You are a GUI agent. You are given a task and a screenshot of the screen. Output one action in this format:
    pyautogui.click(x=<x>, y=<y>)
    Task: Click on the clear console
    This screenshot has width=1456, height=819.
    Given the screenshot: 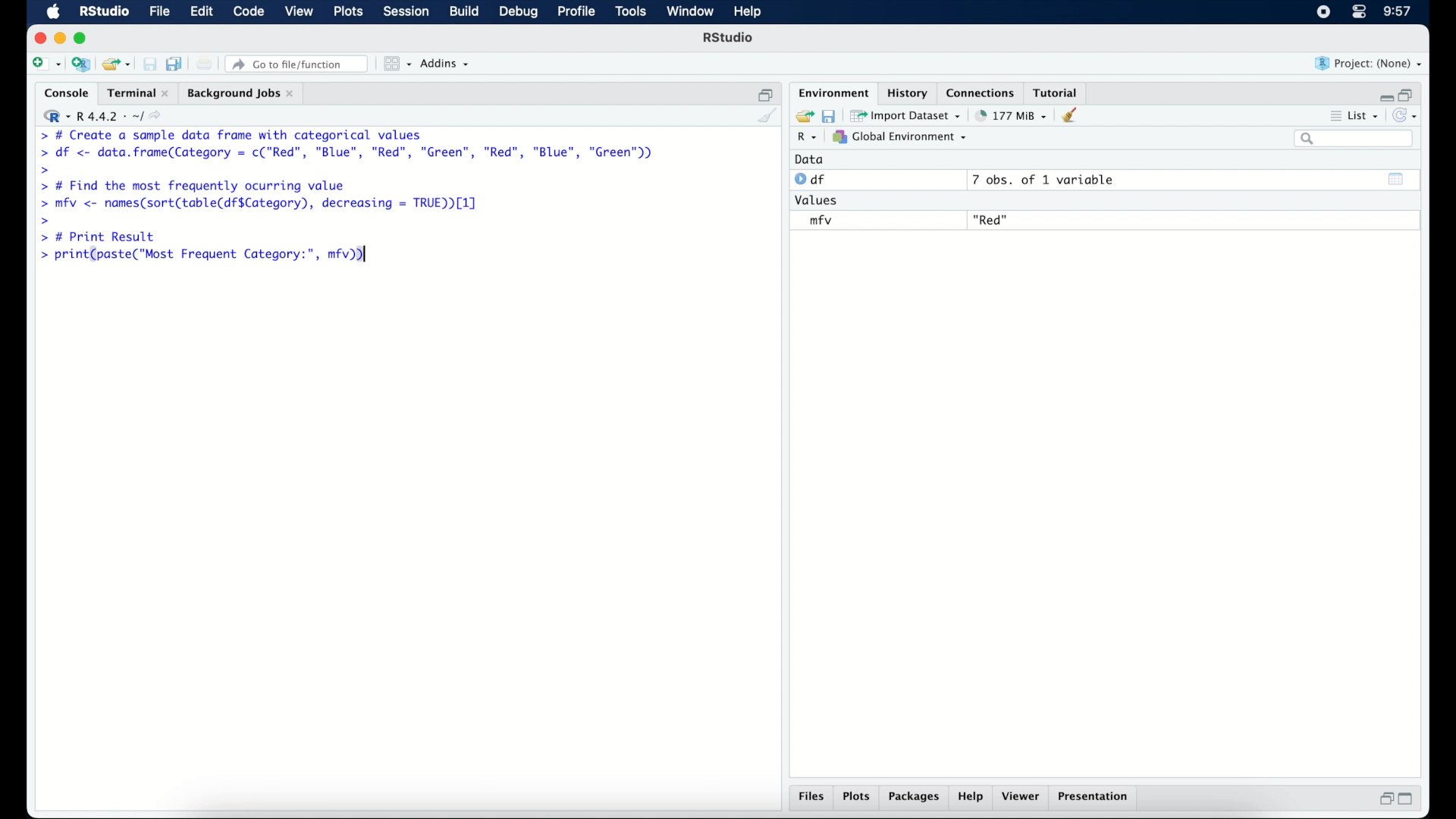 What is the action you would take?
    pyautogui.click(x=768, y=116)
    